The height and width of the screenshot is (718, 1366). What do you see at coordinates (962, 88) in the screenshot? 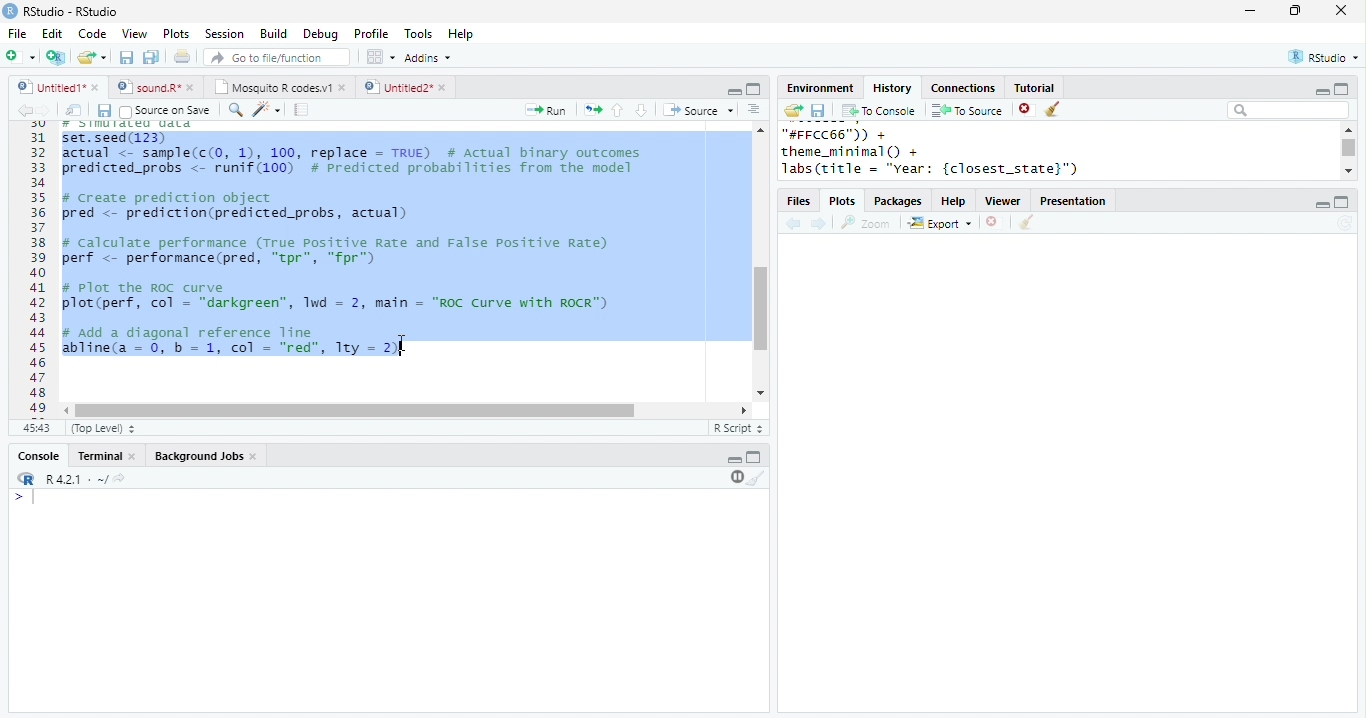
I see `Connections` at bounding box center [962, 88].